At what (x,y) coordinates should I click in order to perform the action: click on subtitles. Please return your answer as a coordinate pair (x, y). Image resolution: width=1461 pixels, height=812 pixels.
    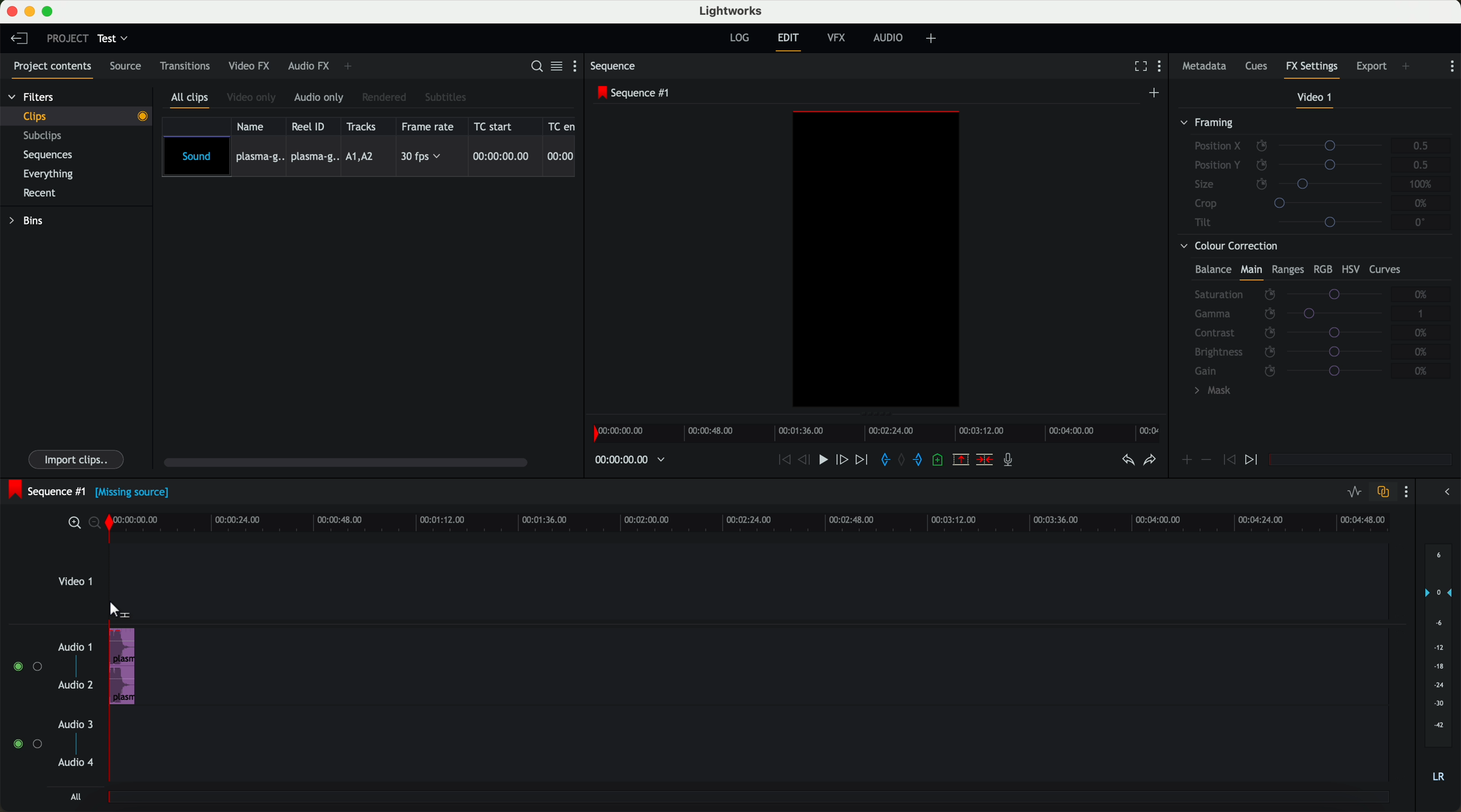
    Looking at the image, I should click on (447, 97).